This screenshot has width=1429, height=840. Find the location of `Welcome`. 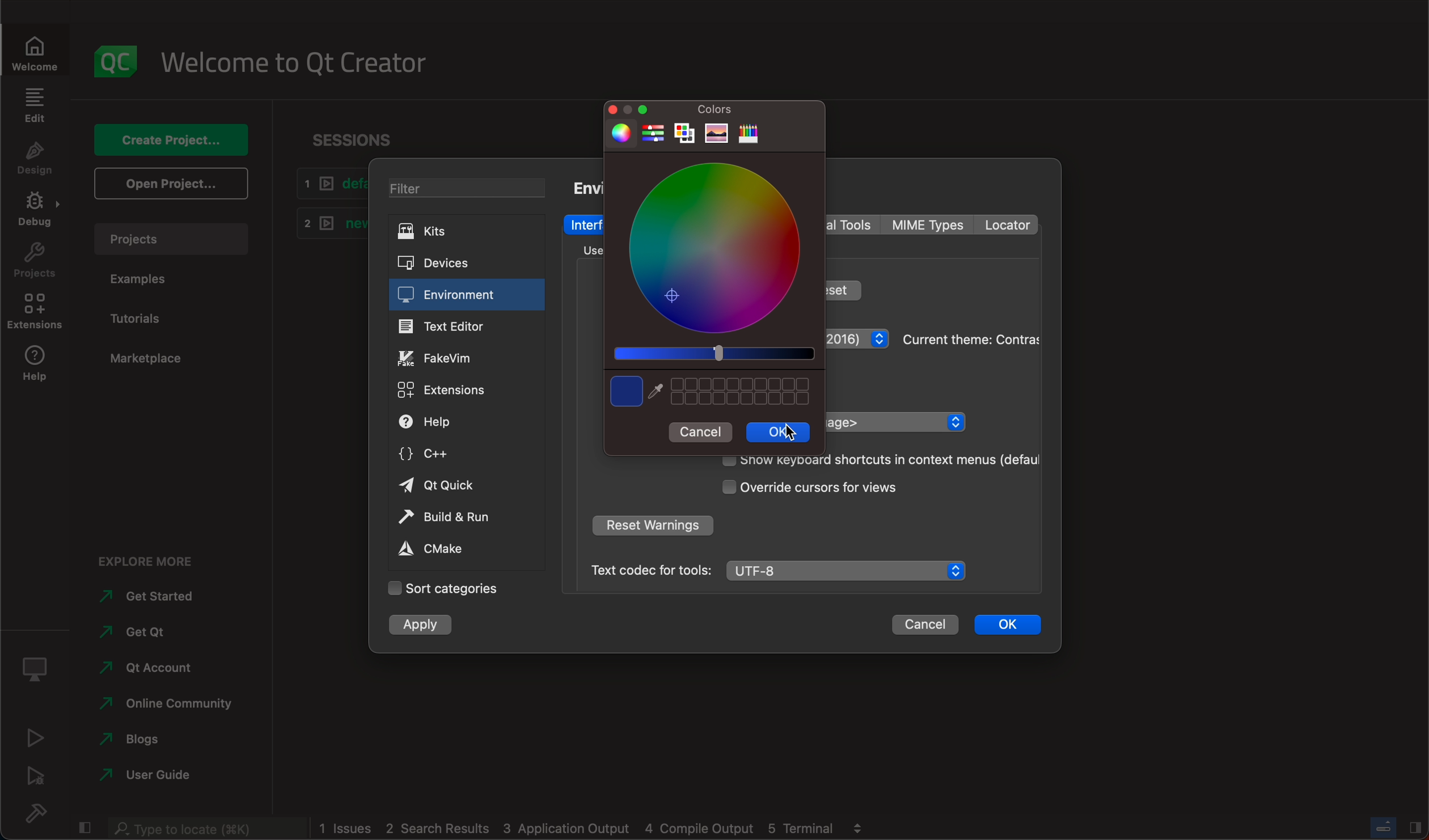

Welcome is located at coordinates (37, 50).